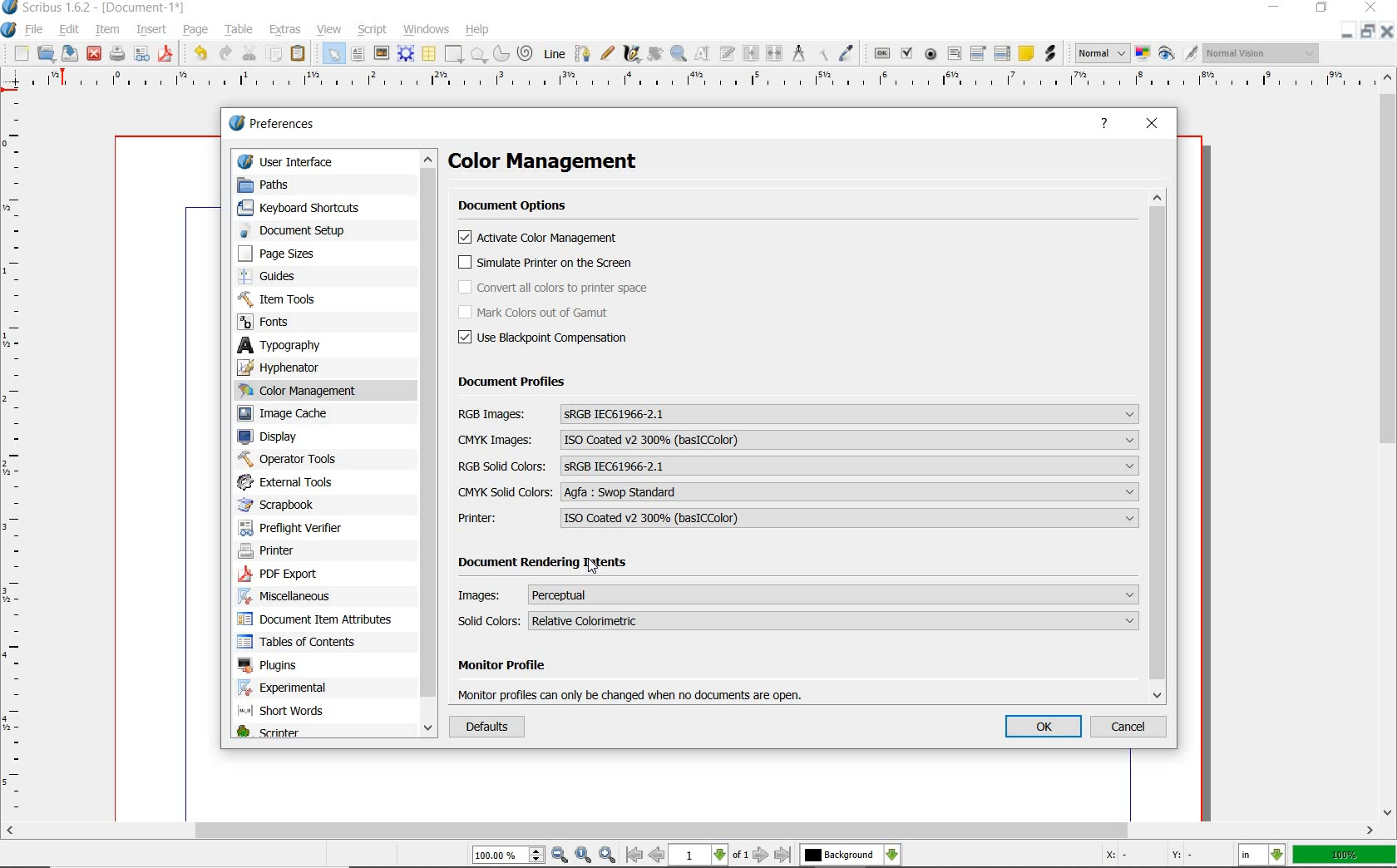 This screenshot has height=868, width=1397. Describe the element at coordinates (797, 465) in the screenshot. I see `RGB Solid Colors` at that location.